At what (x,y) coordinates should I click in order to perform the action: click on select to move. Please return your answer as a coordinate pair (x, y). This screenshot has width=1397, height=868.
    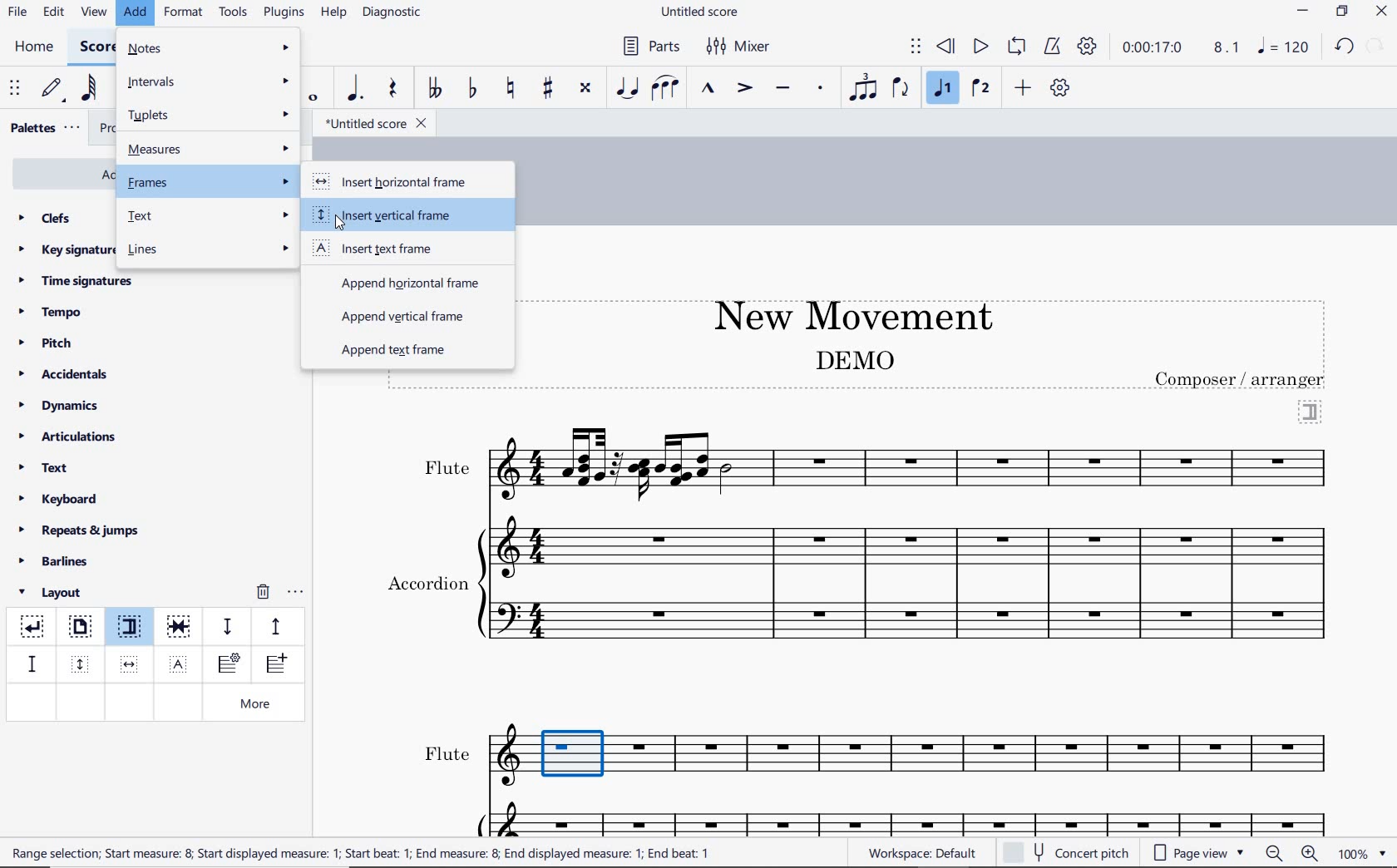
    Looking at the image, I should click on (17, 89).